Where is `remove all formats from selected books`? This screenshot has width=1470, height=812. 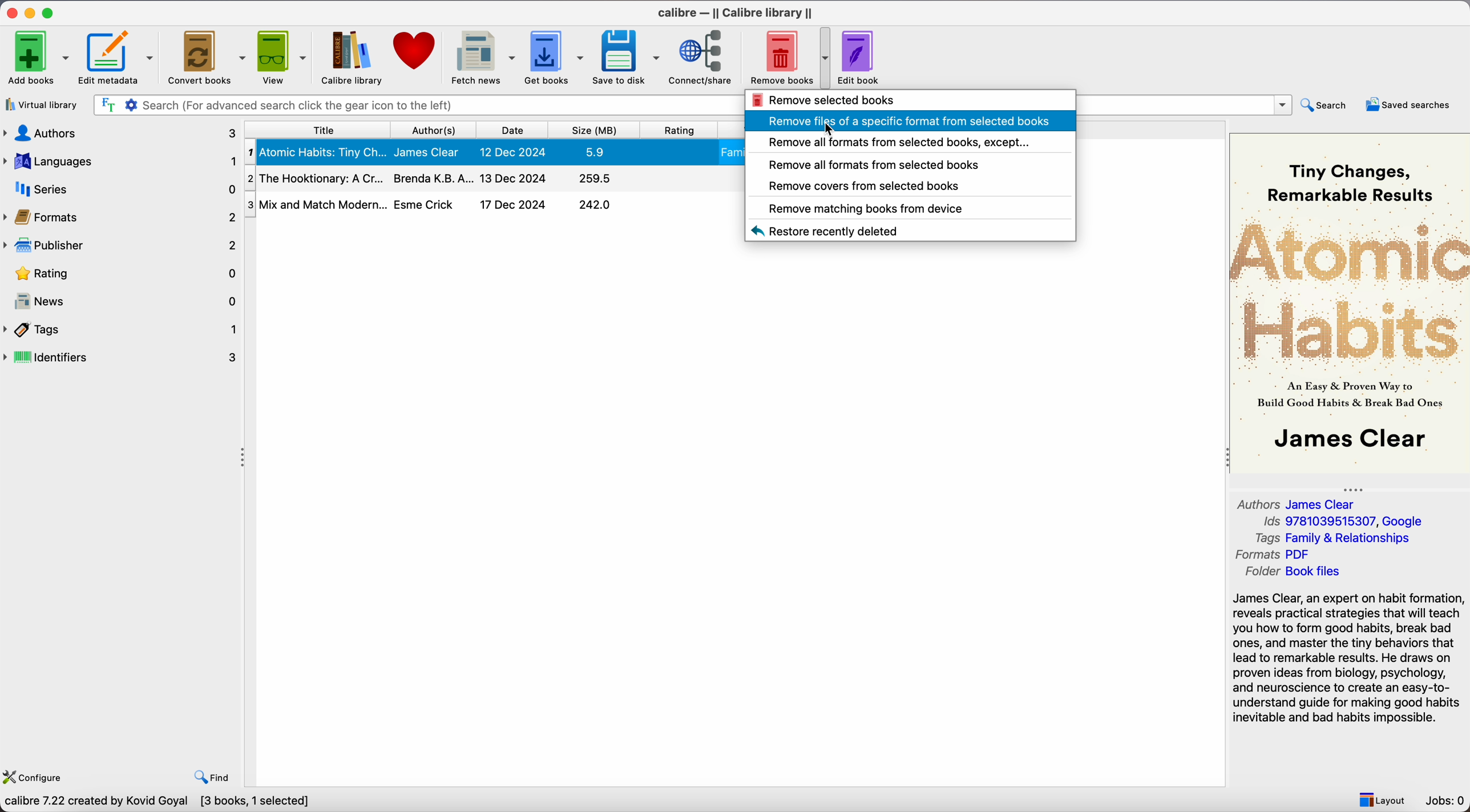
remove all formats from selected books is located at coordinates (871, 165).